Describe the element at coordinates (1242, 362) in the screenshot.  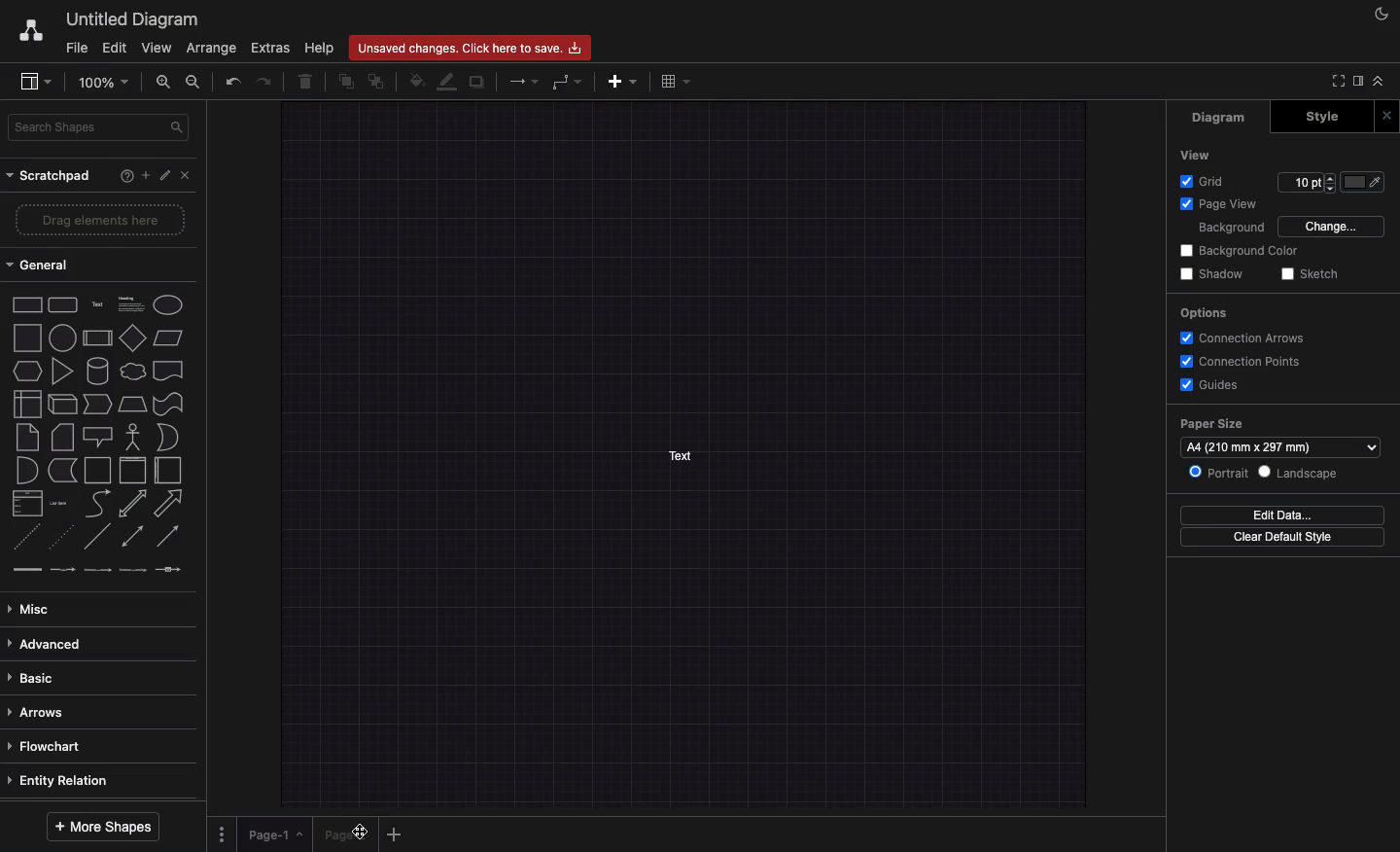
I see `Connection points ` at that location.